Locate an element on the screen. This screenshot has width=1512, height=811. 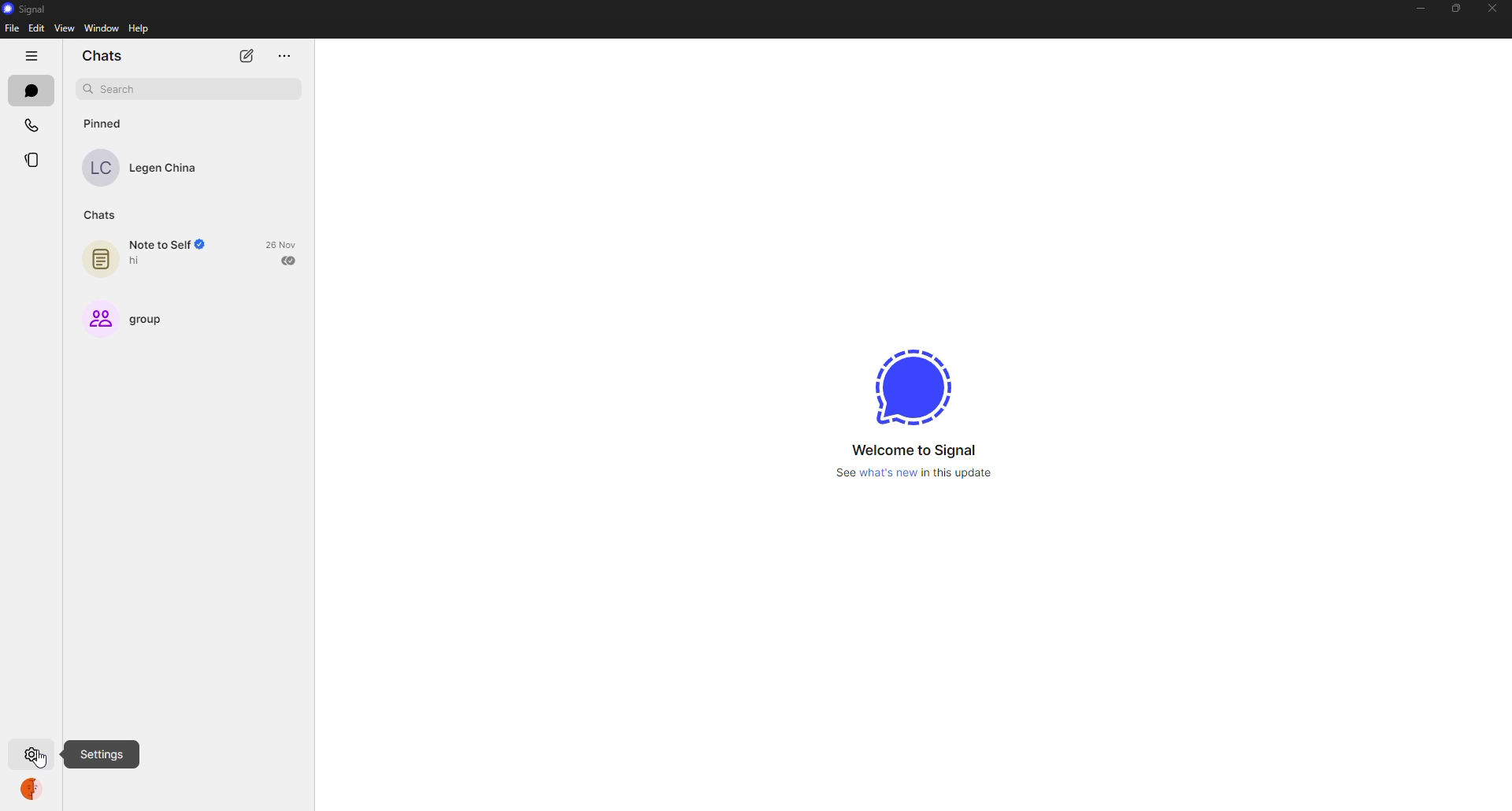
chats is located at coordinates (31, 91).